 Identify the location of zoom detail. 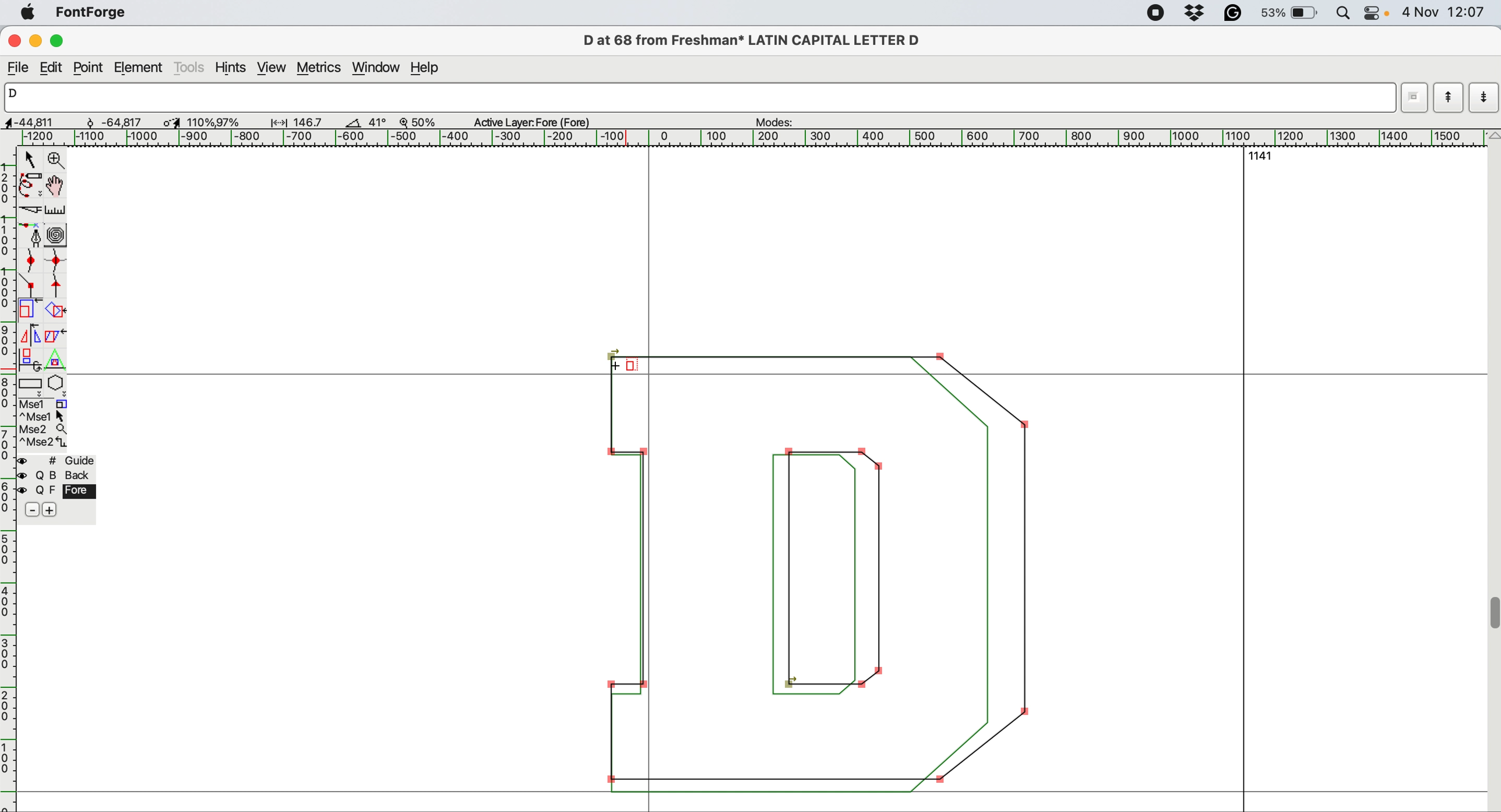
(413, 122).